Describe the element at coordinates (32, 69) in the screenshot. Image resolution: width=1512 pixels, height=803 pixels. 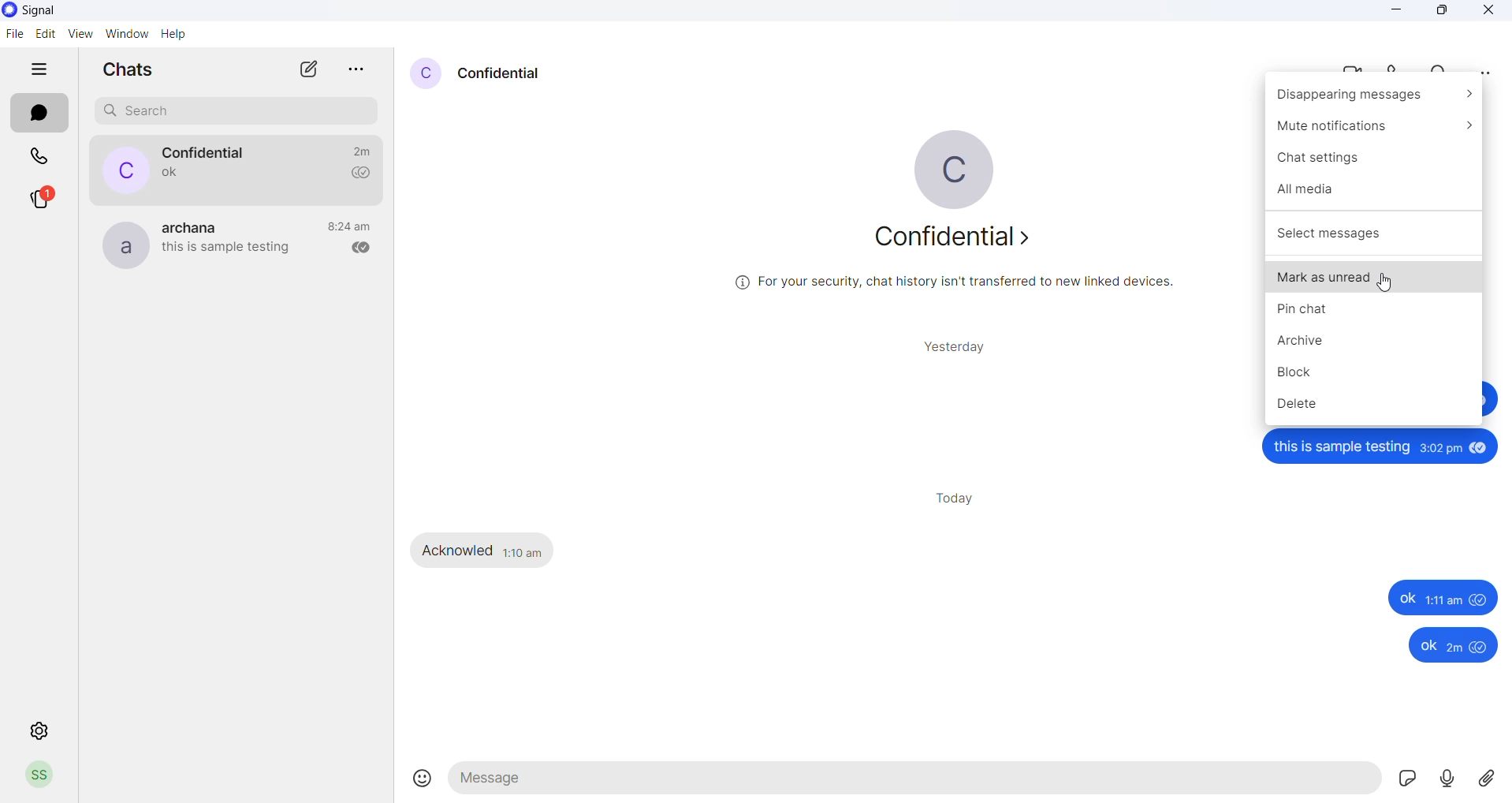
I see `hide` at that location.